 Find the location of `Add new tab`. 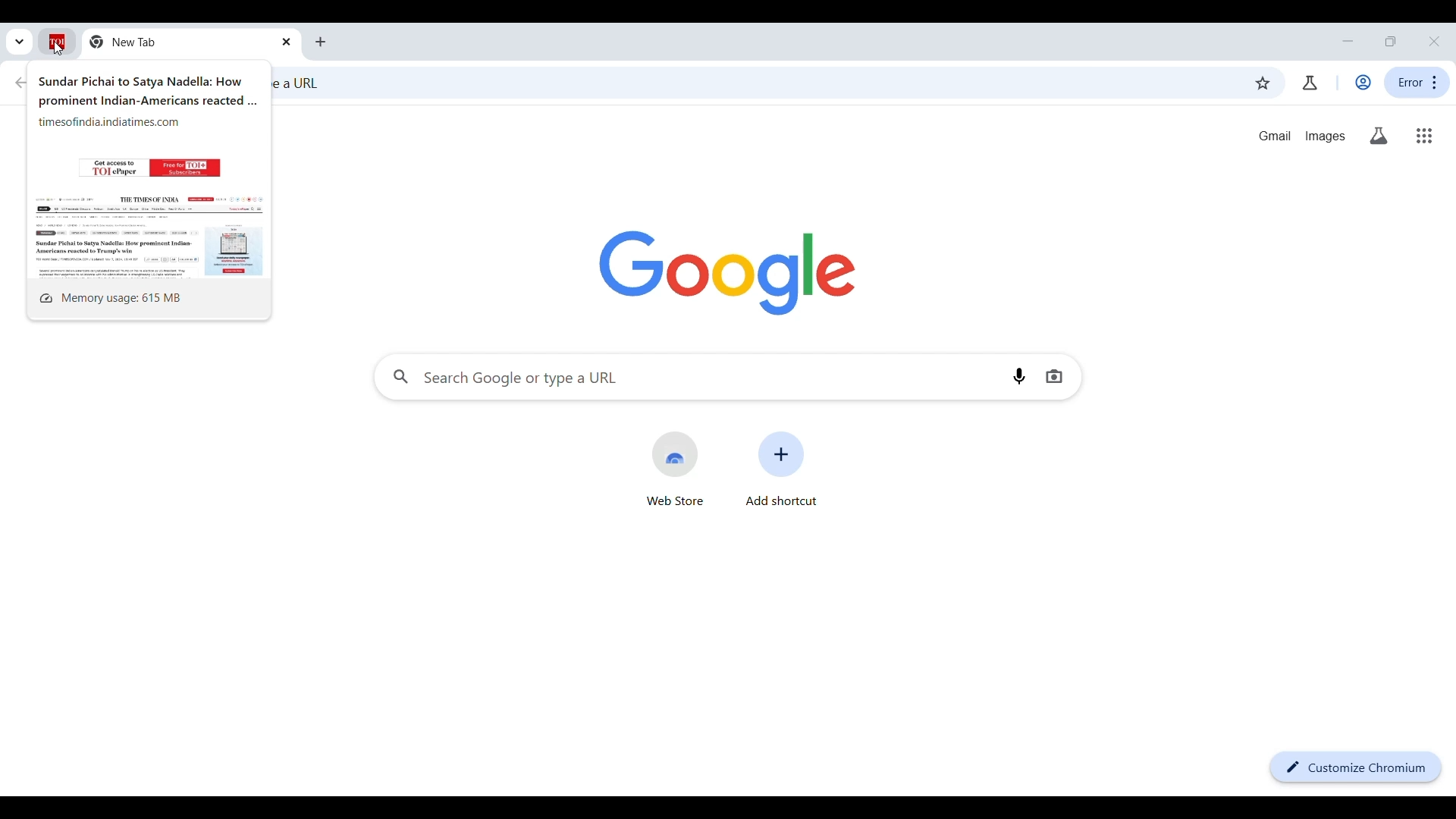

Add new tab is located at coordinates (322, 42).